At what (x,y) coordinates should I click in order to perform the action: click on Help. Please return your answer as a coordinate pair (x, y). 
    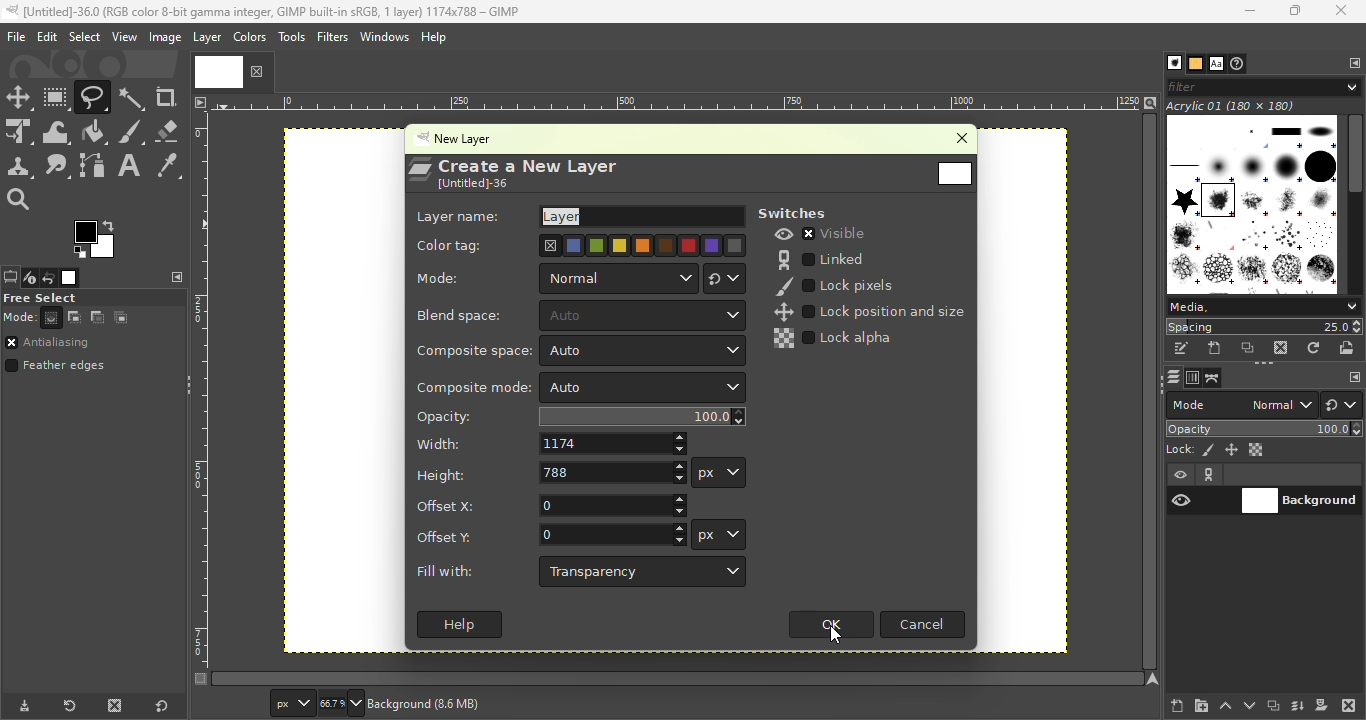
    Looking at the image, I should click on (460, 625).